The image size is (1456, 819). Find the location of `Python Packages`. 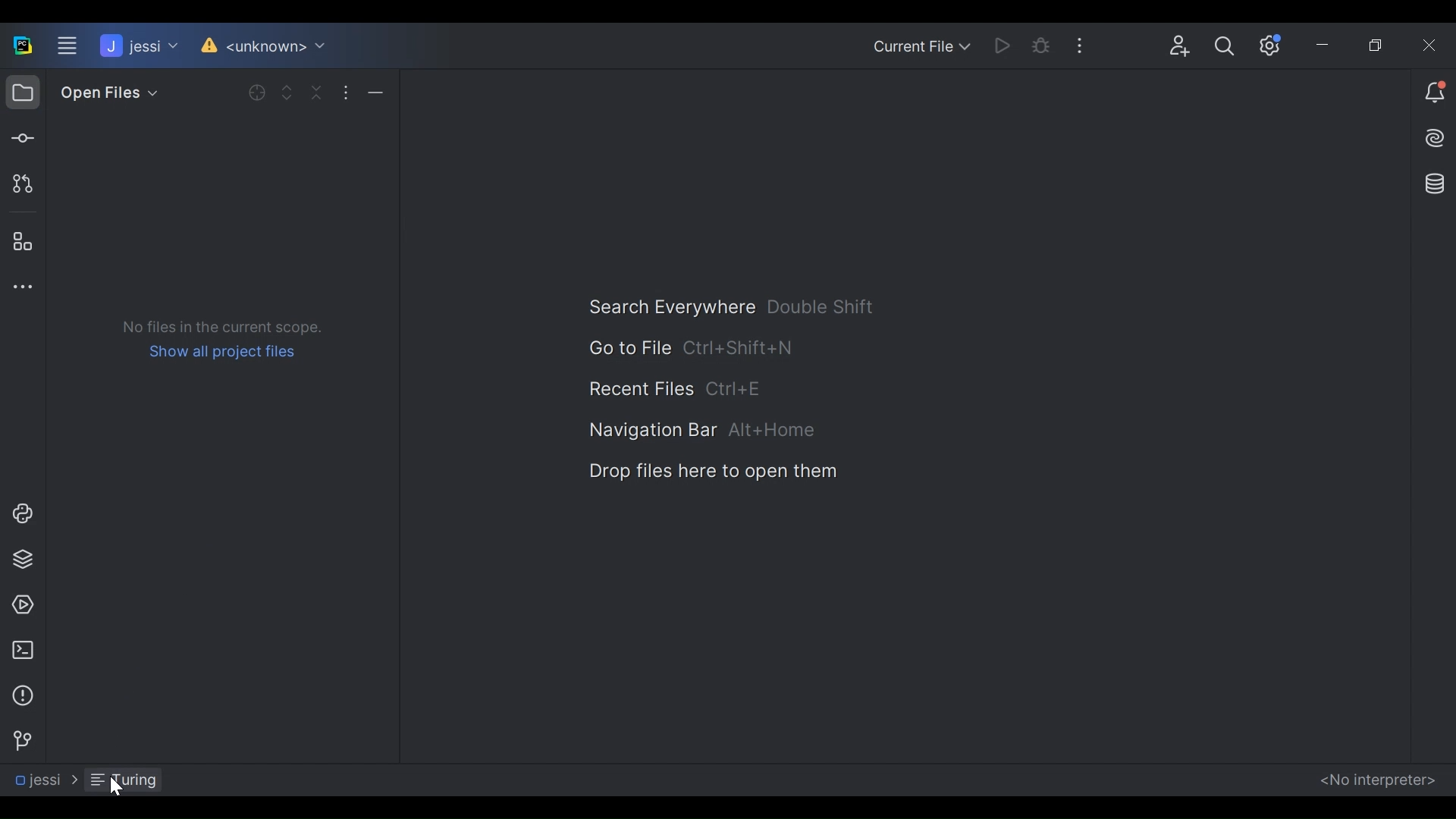

Python Packages is located at coordinates (21, 560).